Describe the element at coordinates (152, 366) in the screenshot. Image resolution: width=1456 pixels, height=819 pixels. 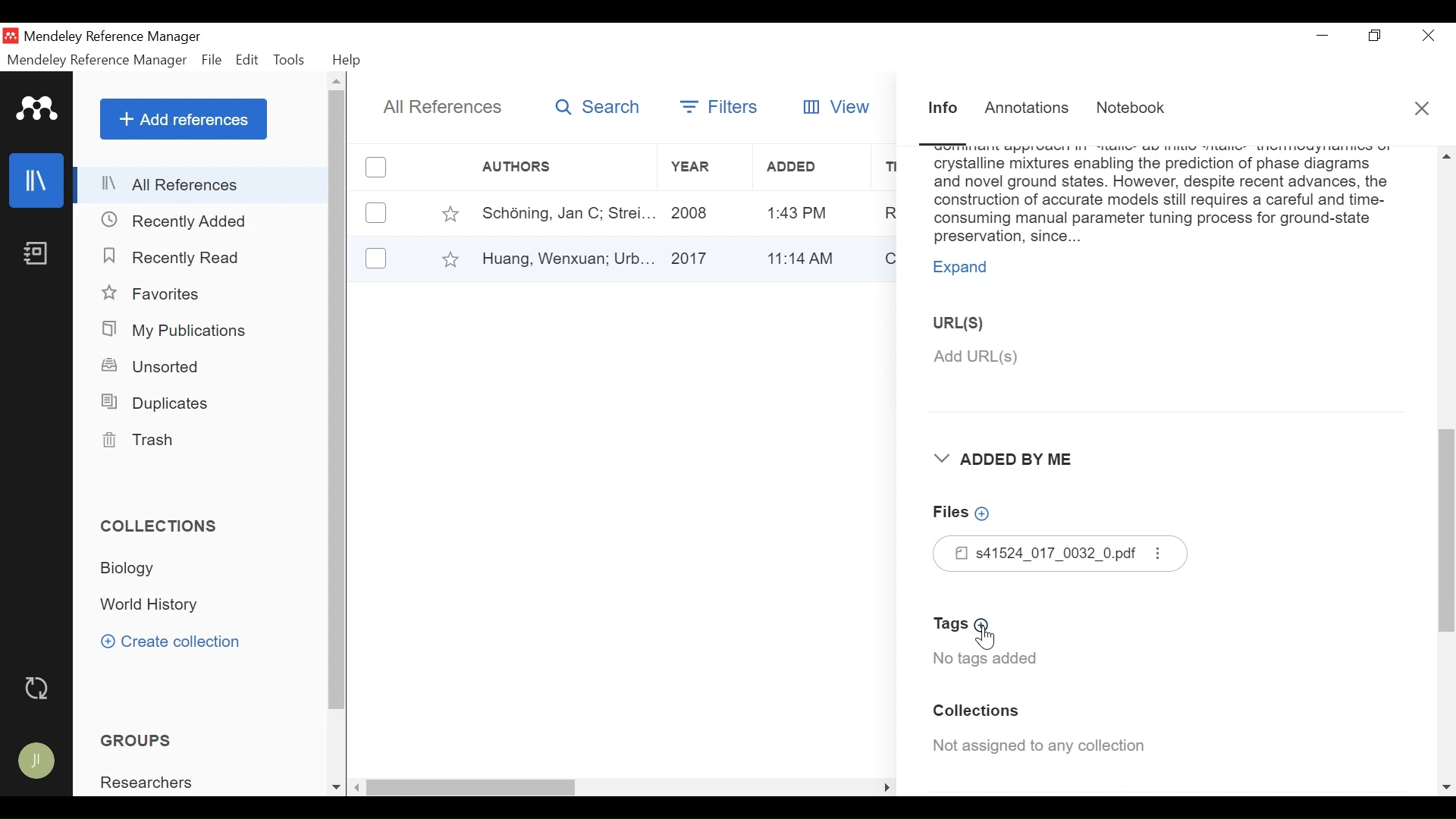
I see `Unsorted` at that location.